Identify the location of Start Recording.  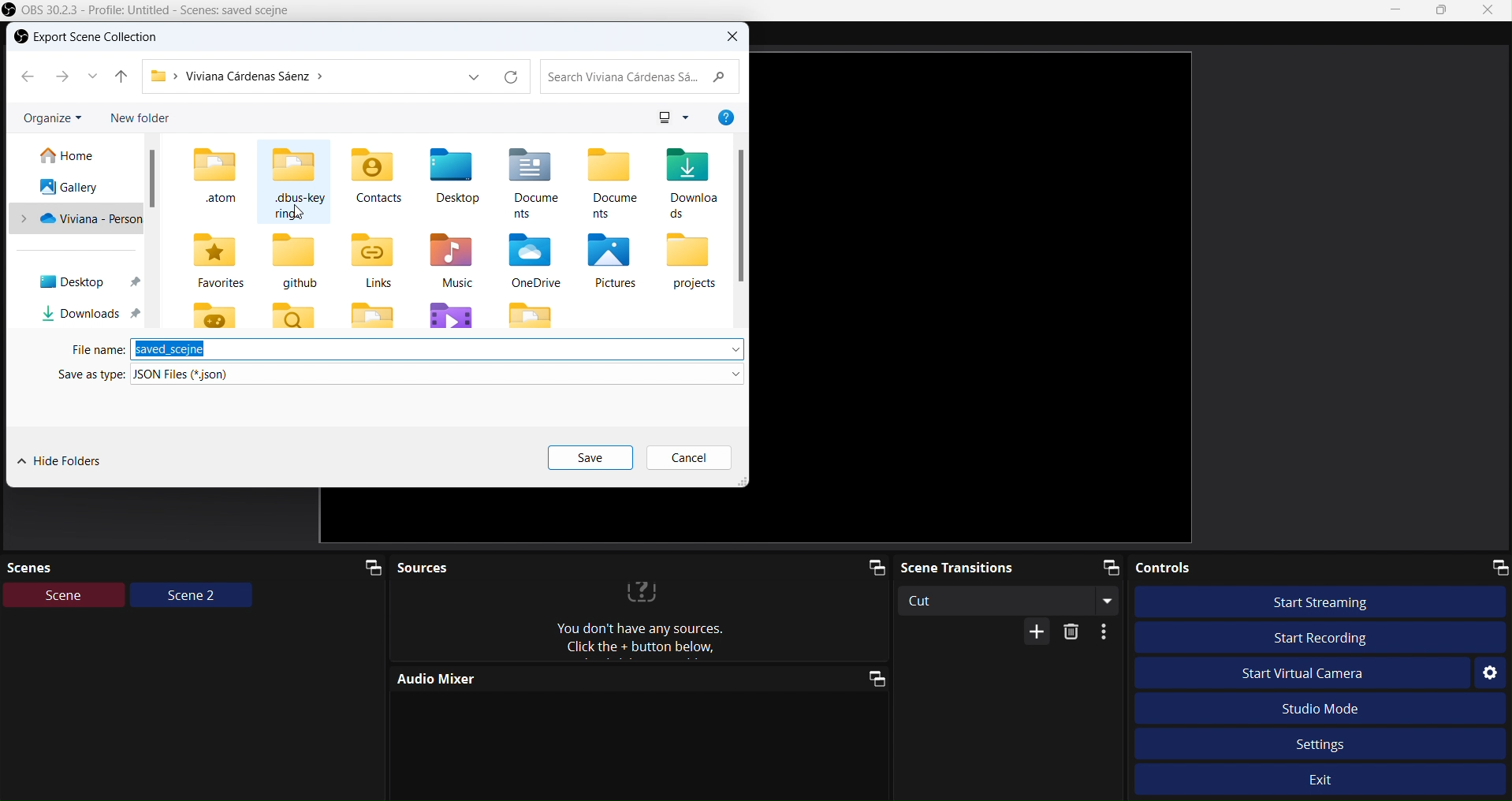
(1320, 638).